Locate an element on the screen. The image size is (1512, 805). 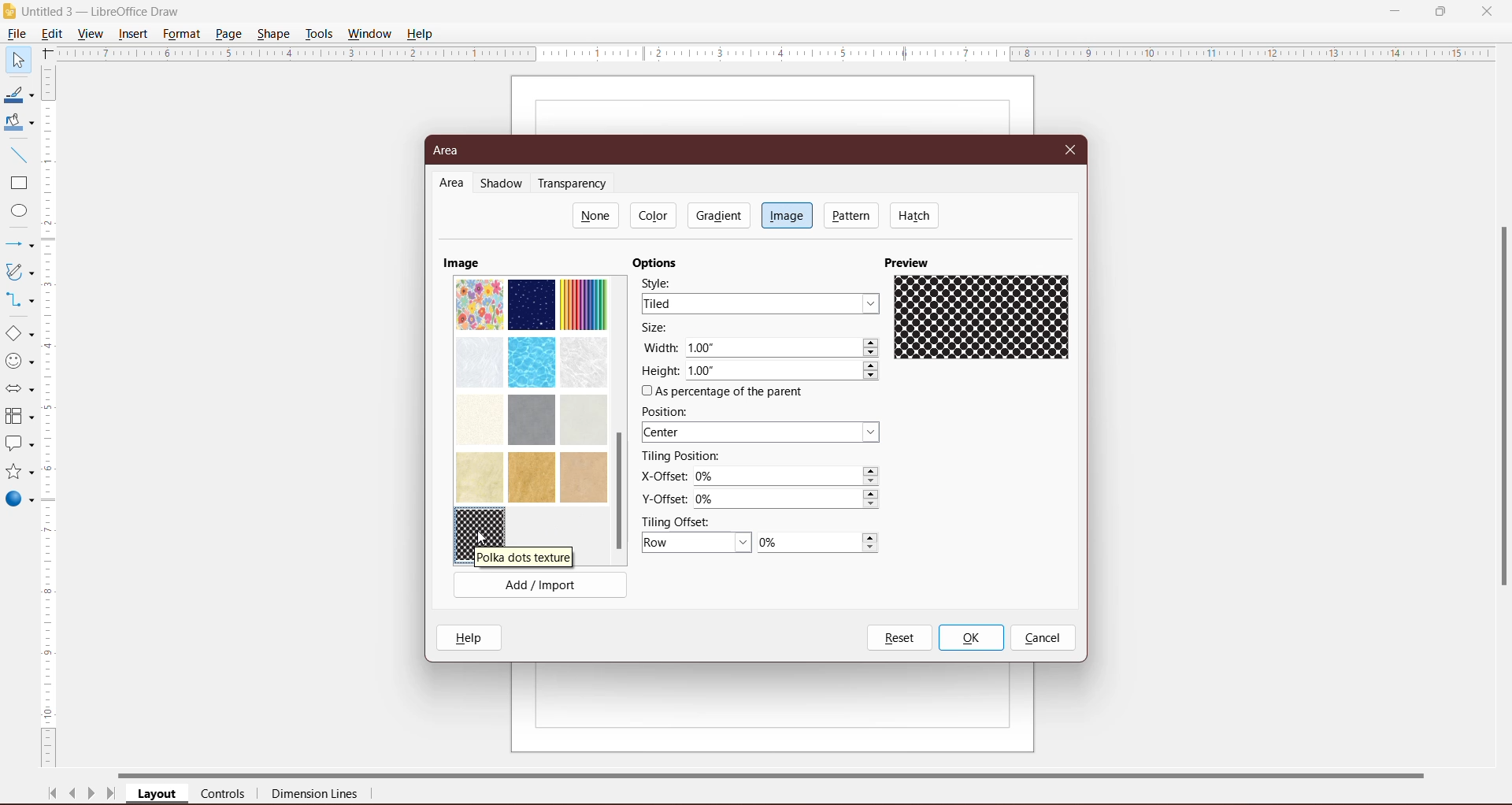
Select is located at coordinates (17, 59).